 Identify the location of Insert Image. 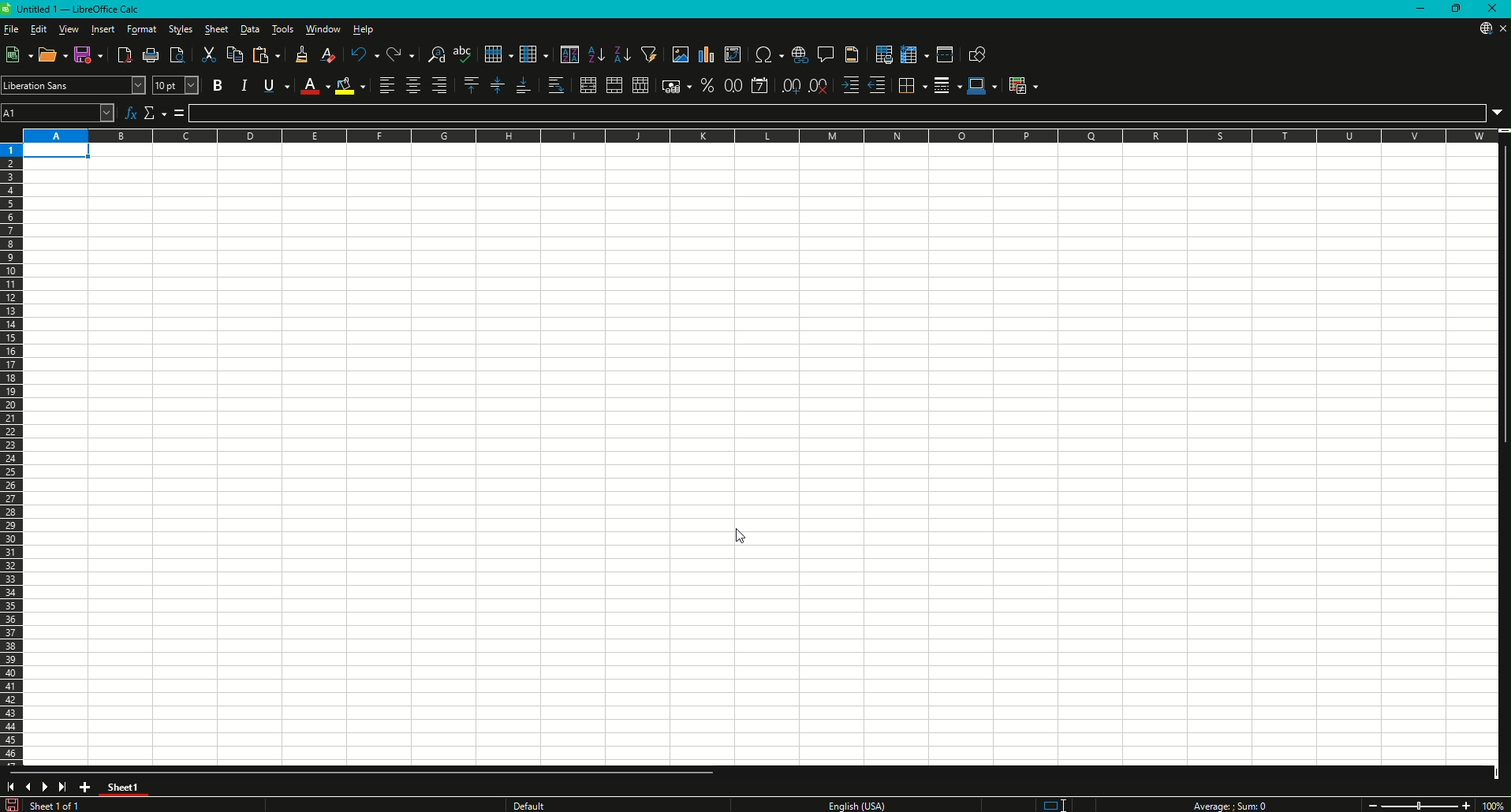
(680, 54).